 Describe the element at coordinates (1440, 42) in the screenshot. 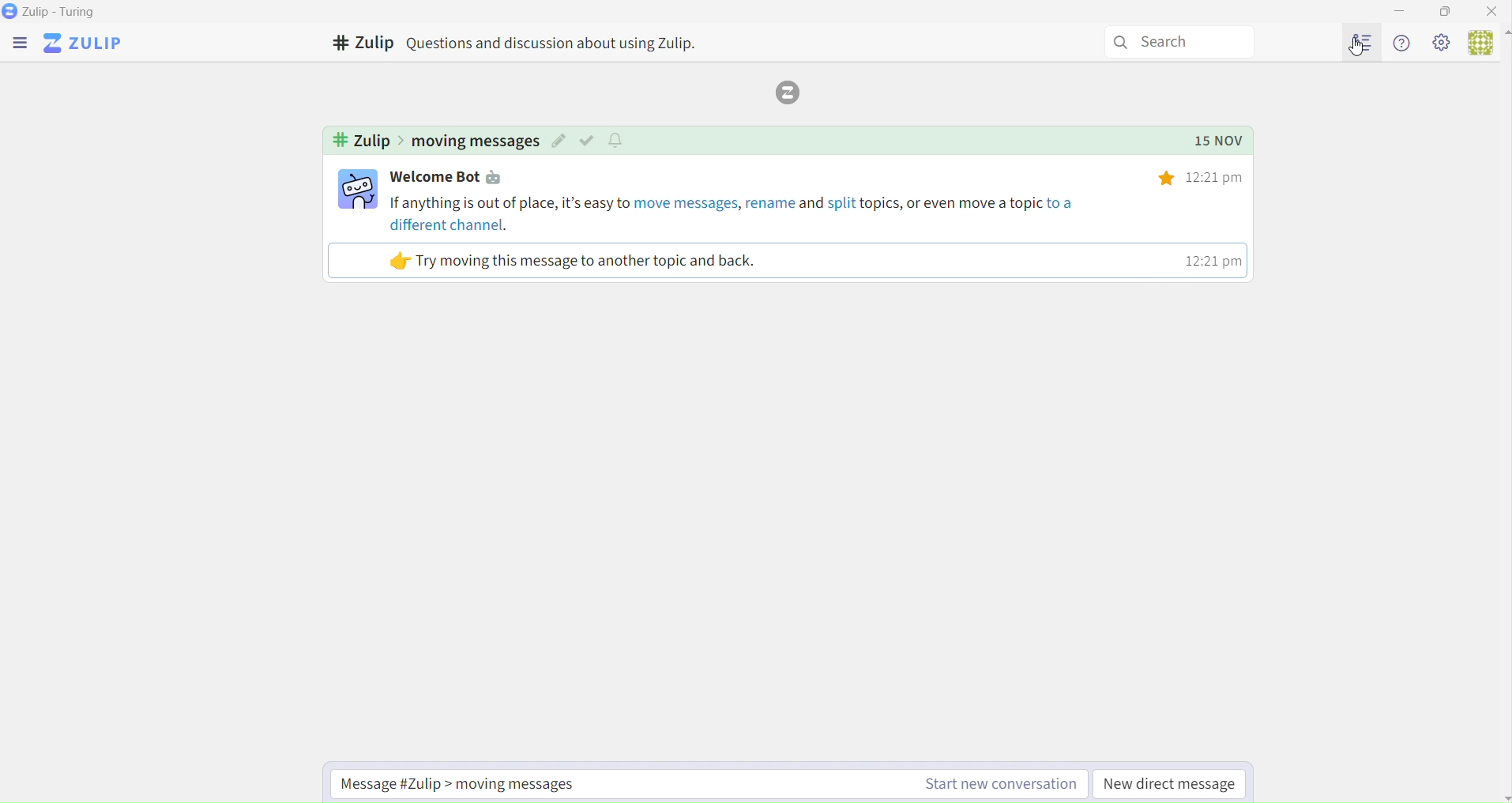

I see `Settings` at that location.